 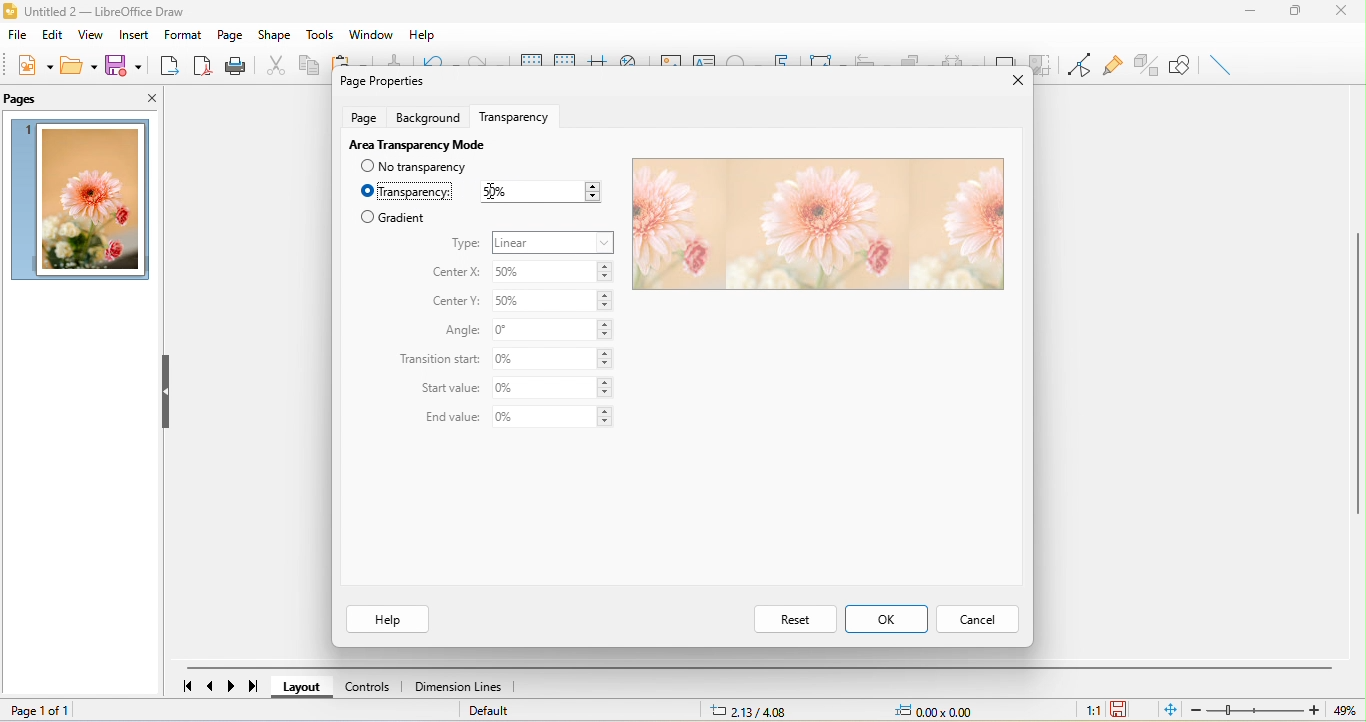 What do you see at coordinates (555, 273) in the screenshot?
I see `50%` at bounding box center [555, 273].